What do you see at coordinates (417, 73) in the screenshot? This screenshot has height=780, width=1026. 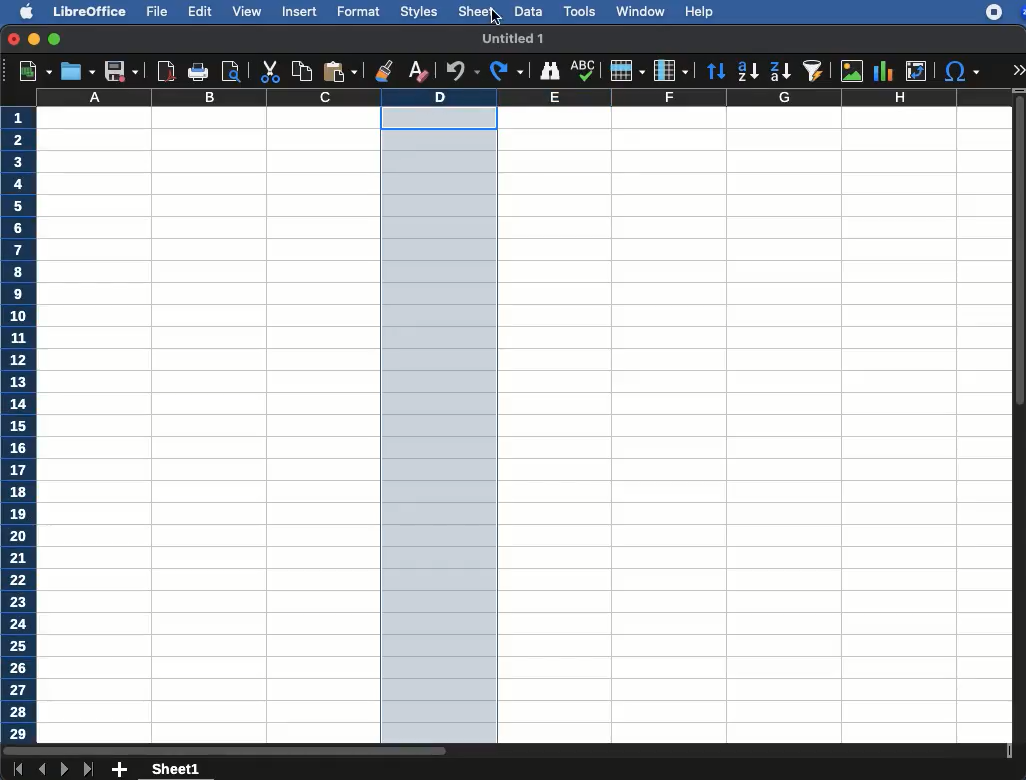 I see `clear formatting` at bounding box center [417, 73].